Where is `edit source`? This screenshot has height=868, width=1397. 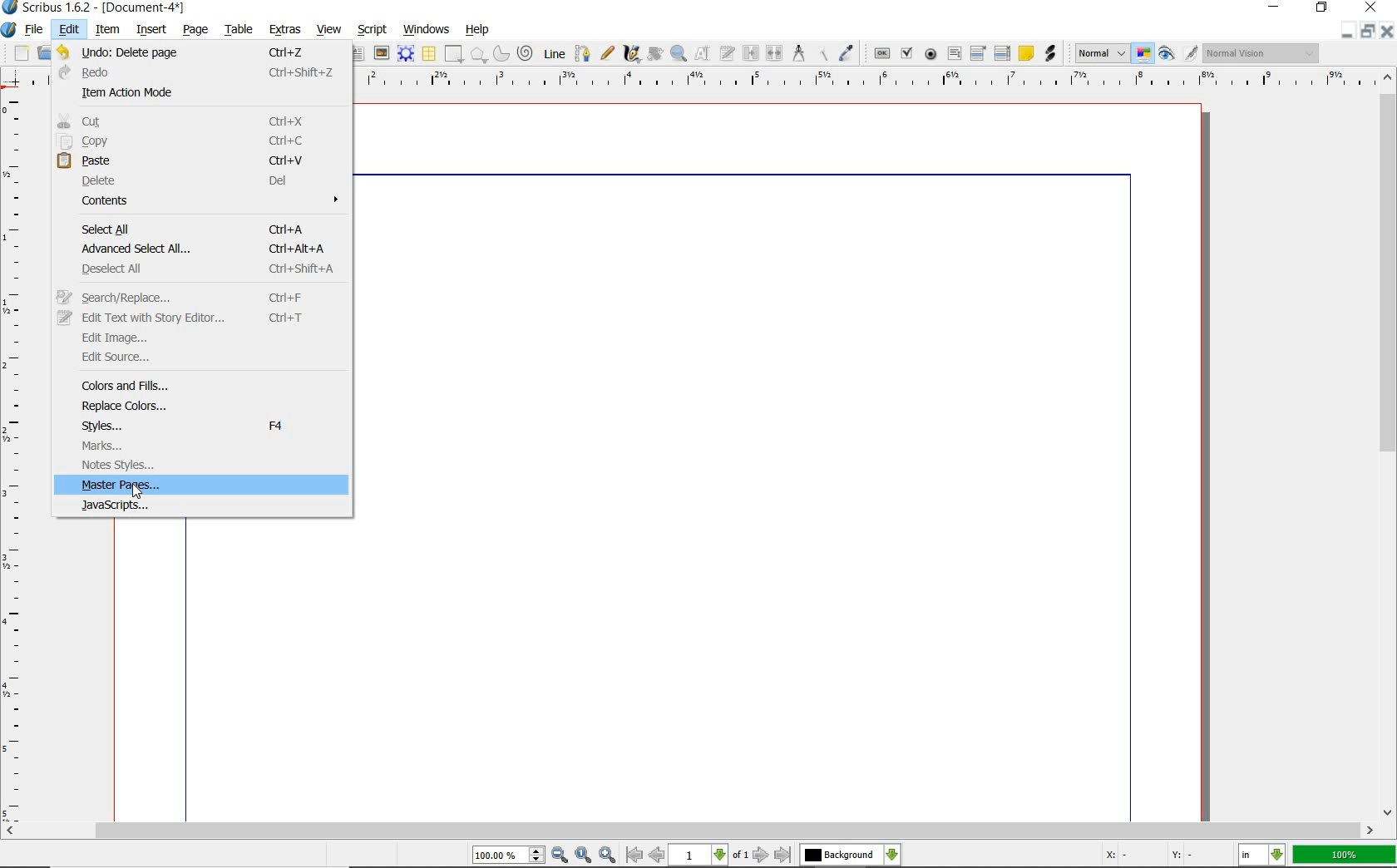
edit source is located at coordinates (202, 359).